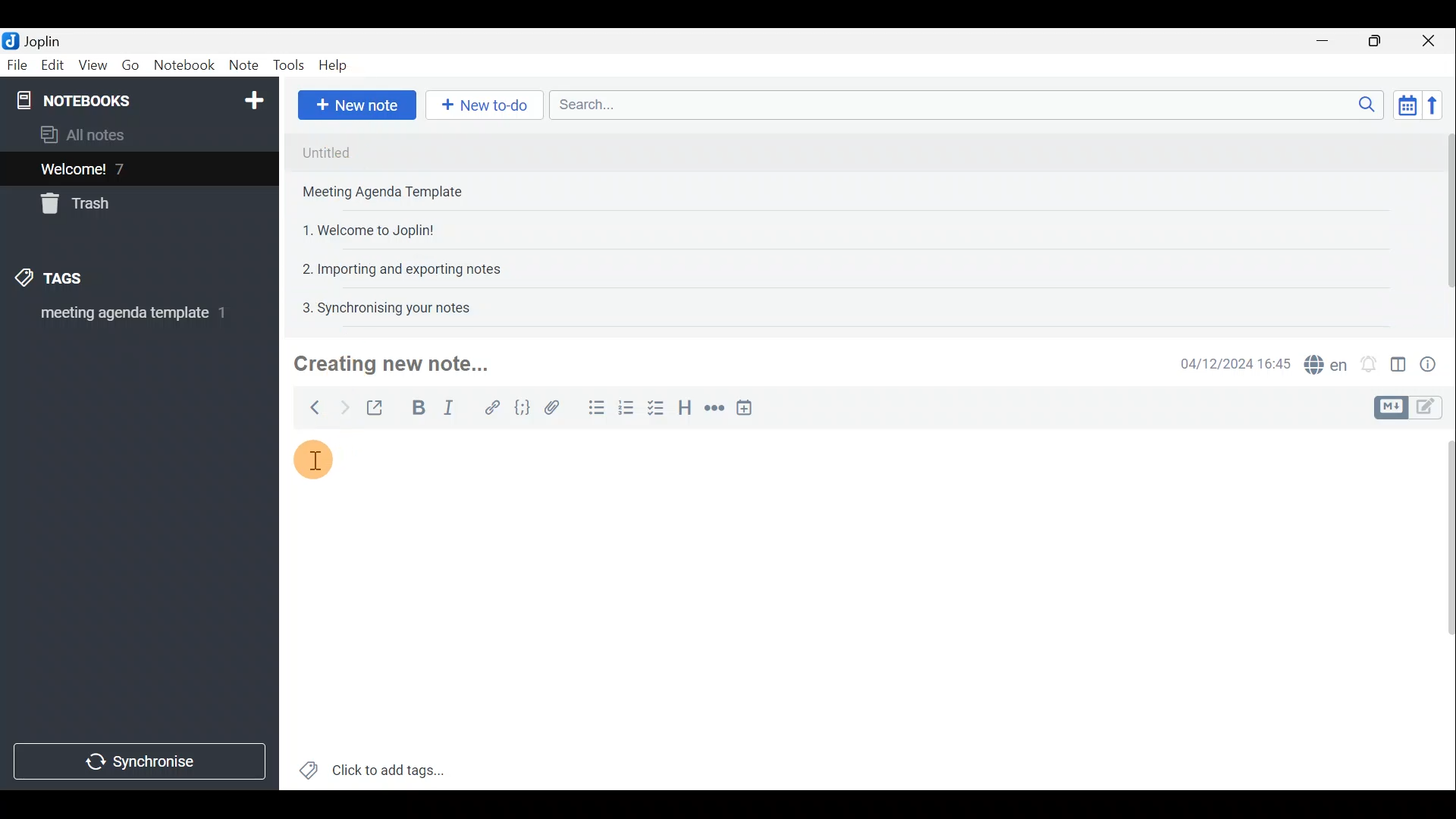 This screenshot has width=1456, height=819. I want to click on Note 2, so click(397, 193).